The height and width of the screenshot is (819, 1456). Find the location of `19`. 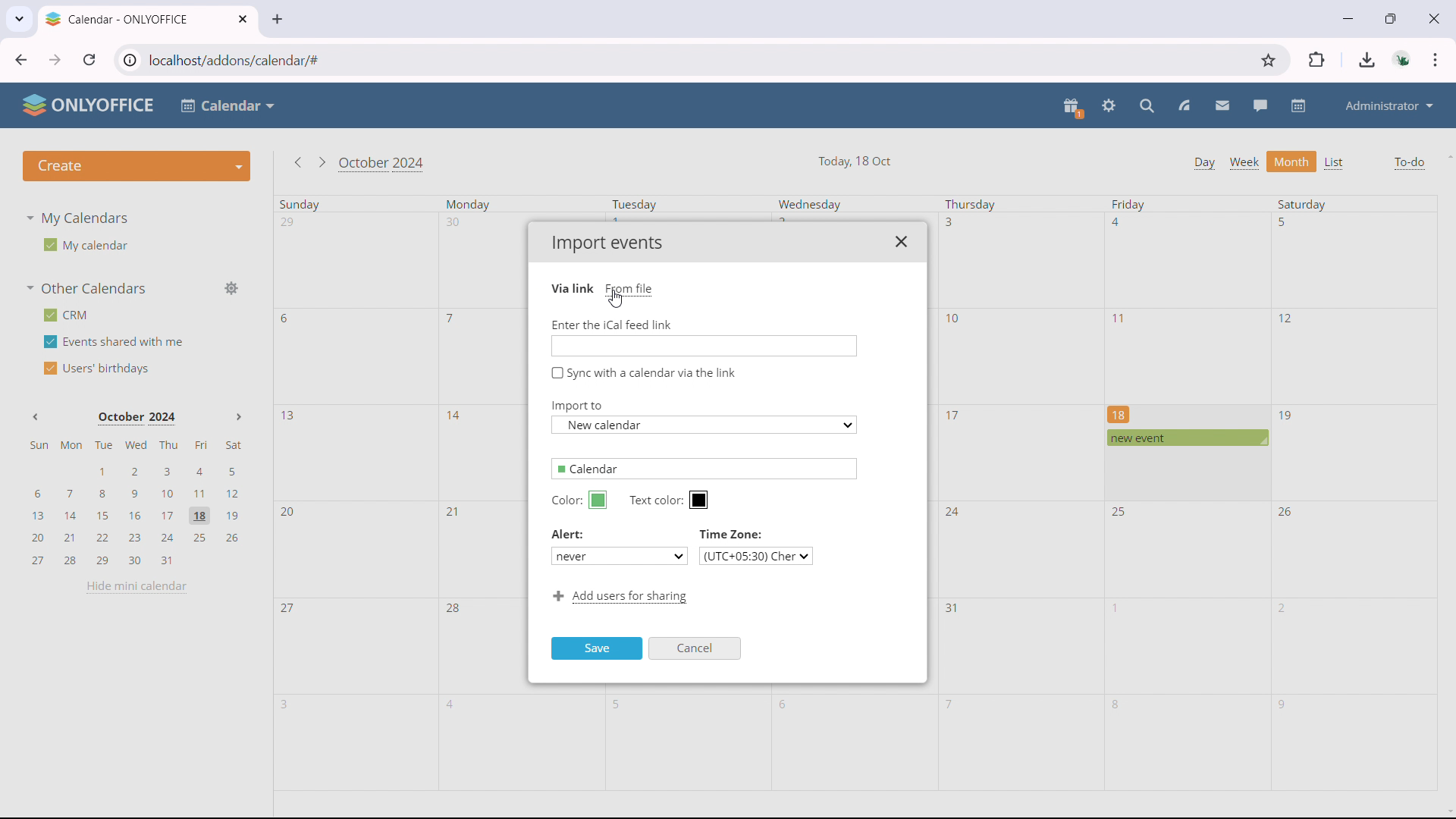

19 is located at coordinates (1287, 416).